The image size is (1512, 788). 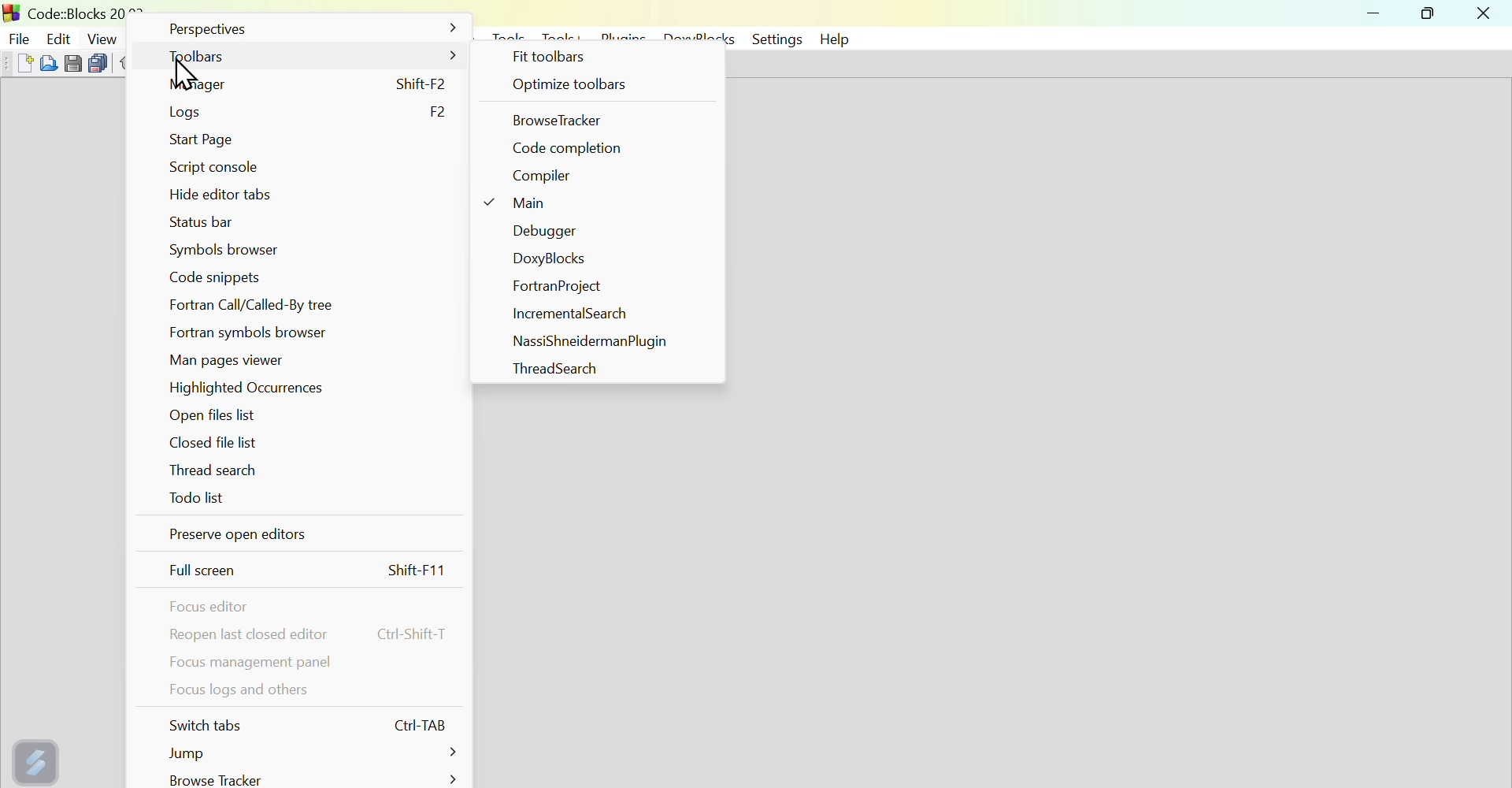 I want to click on Settings, so click(x=774, y=39).